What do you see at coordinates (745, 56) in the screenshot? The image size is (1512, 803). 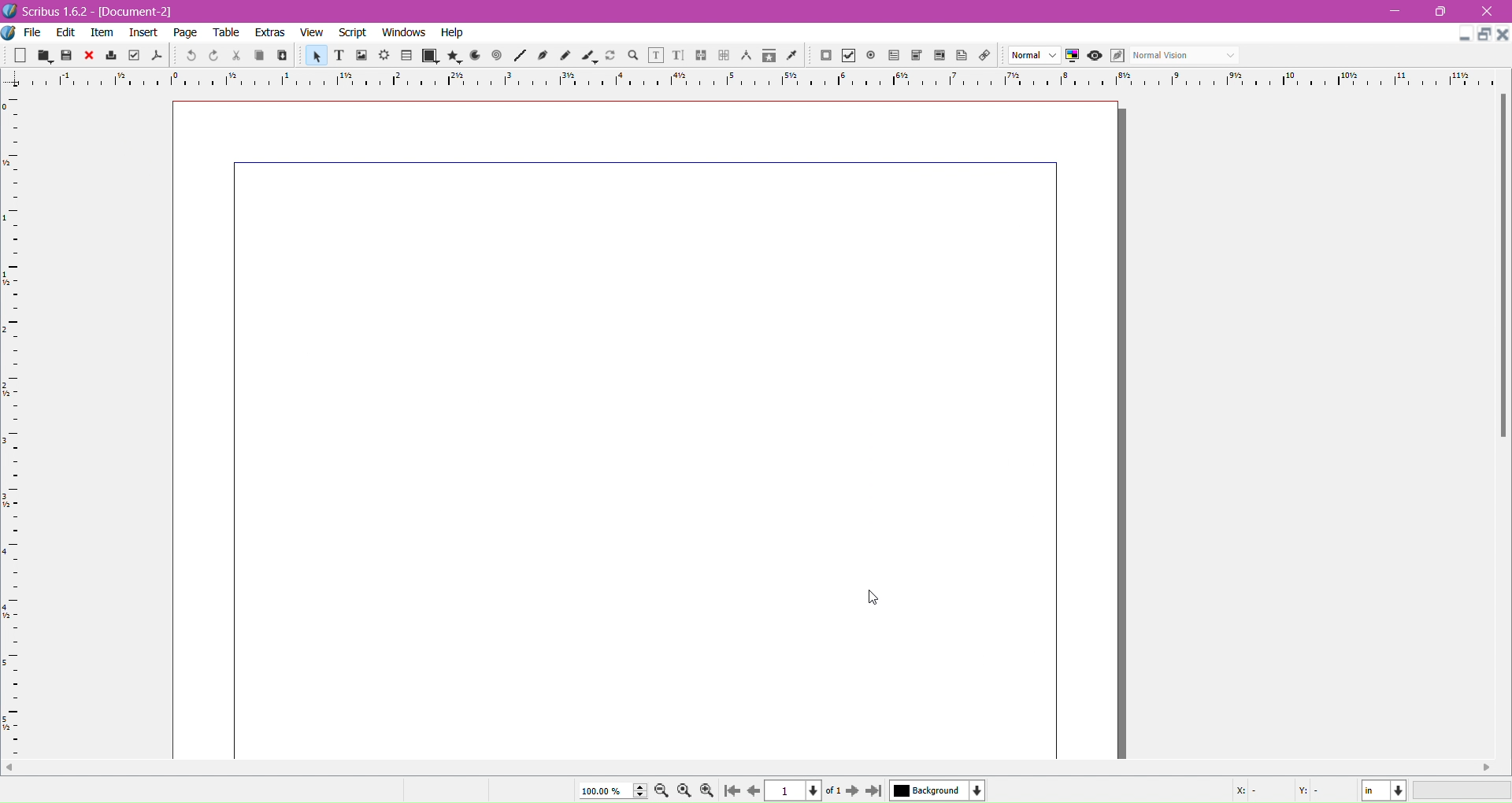 I see `icon` at bounding box center [745, 56].